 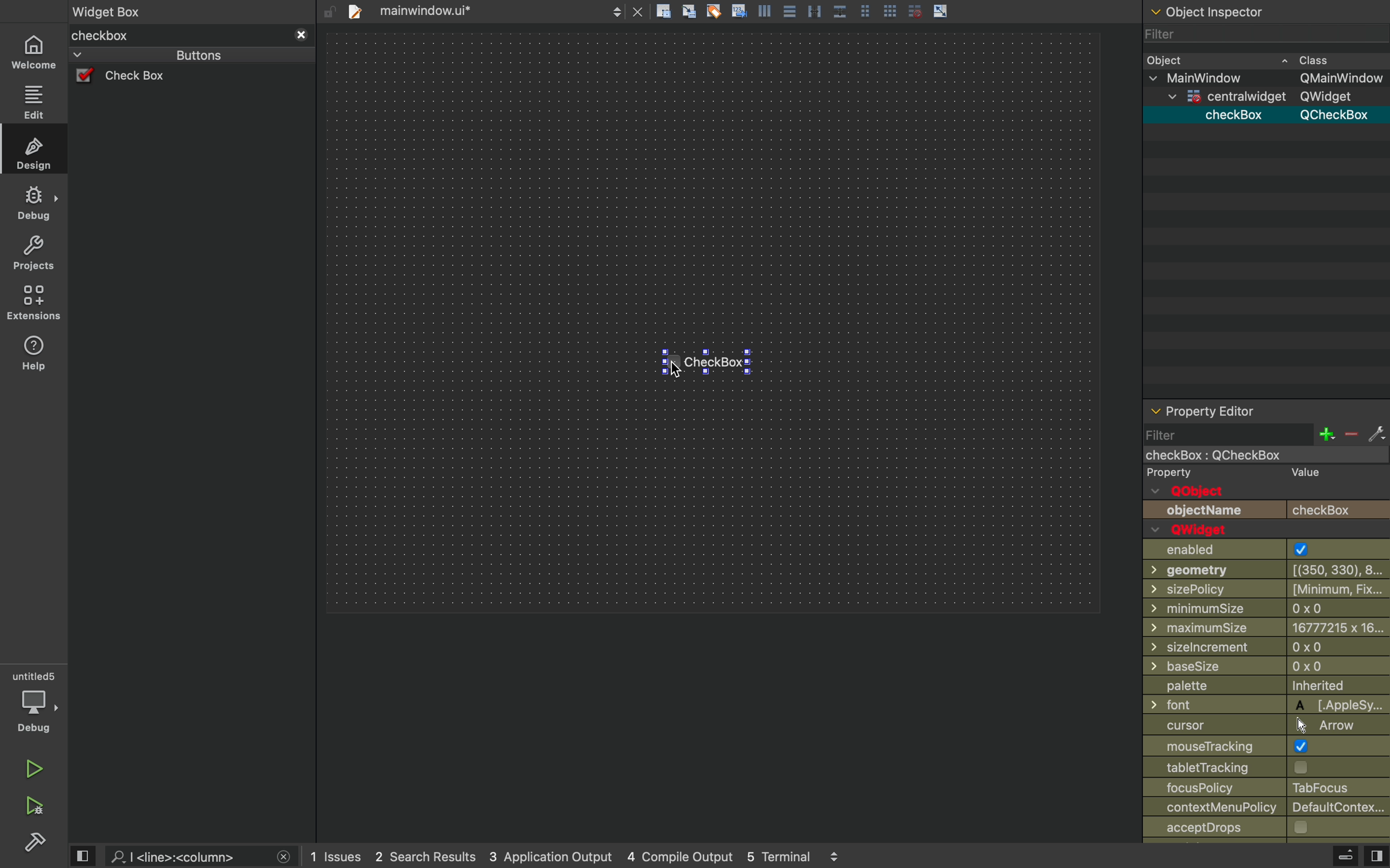 I want to click on font, so click(x=1267, y=704).